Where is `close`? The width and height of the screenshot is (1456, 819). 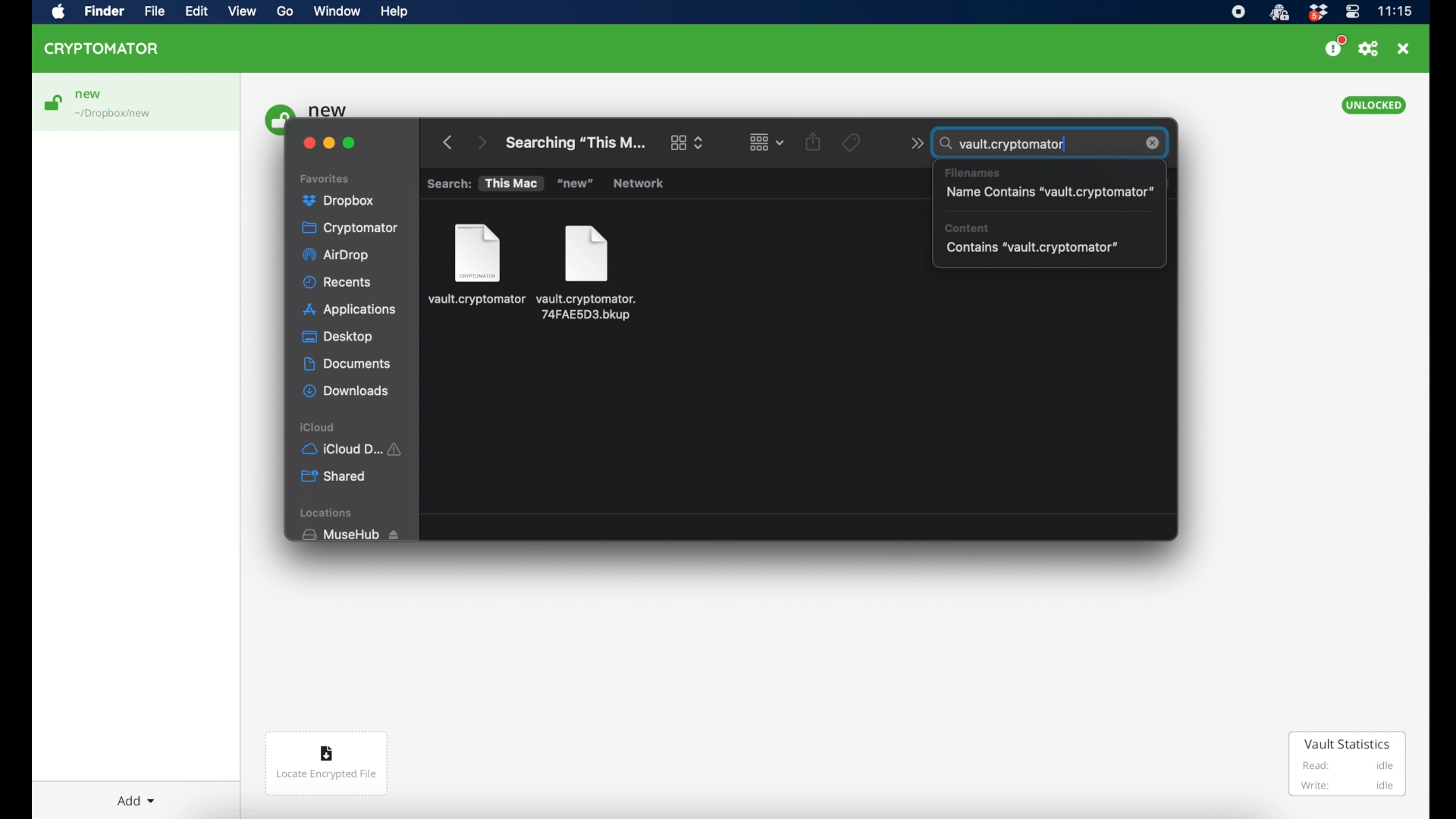
close is located at coordinates (309, 143).